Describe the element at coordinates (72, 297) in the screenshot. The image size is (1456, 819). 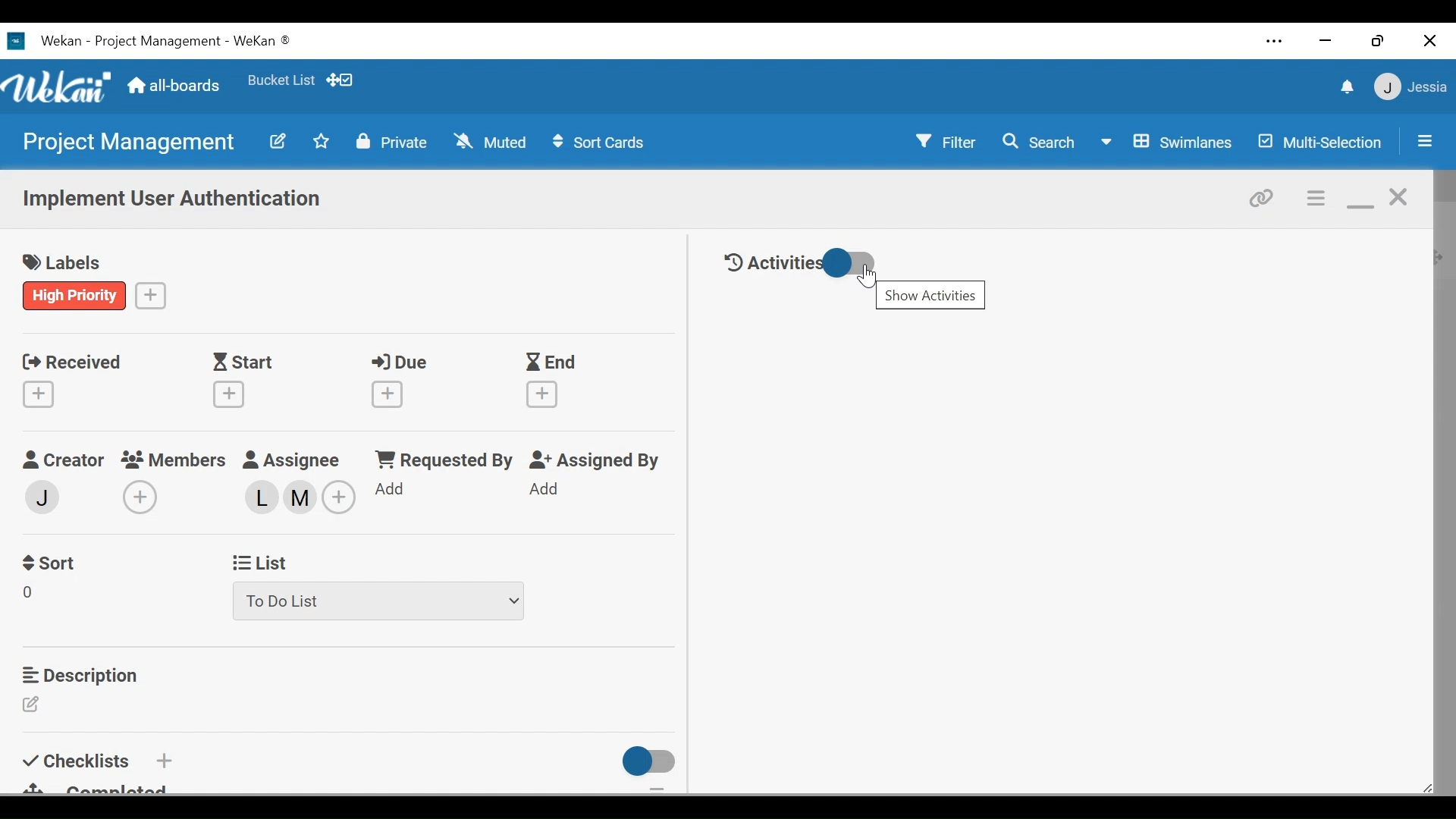
I see `label` at that location.